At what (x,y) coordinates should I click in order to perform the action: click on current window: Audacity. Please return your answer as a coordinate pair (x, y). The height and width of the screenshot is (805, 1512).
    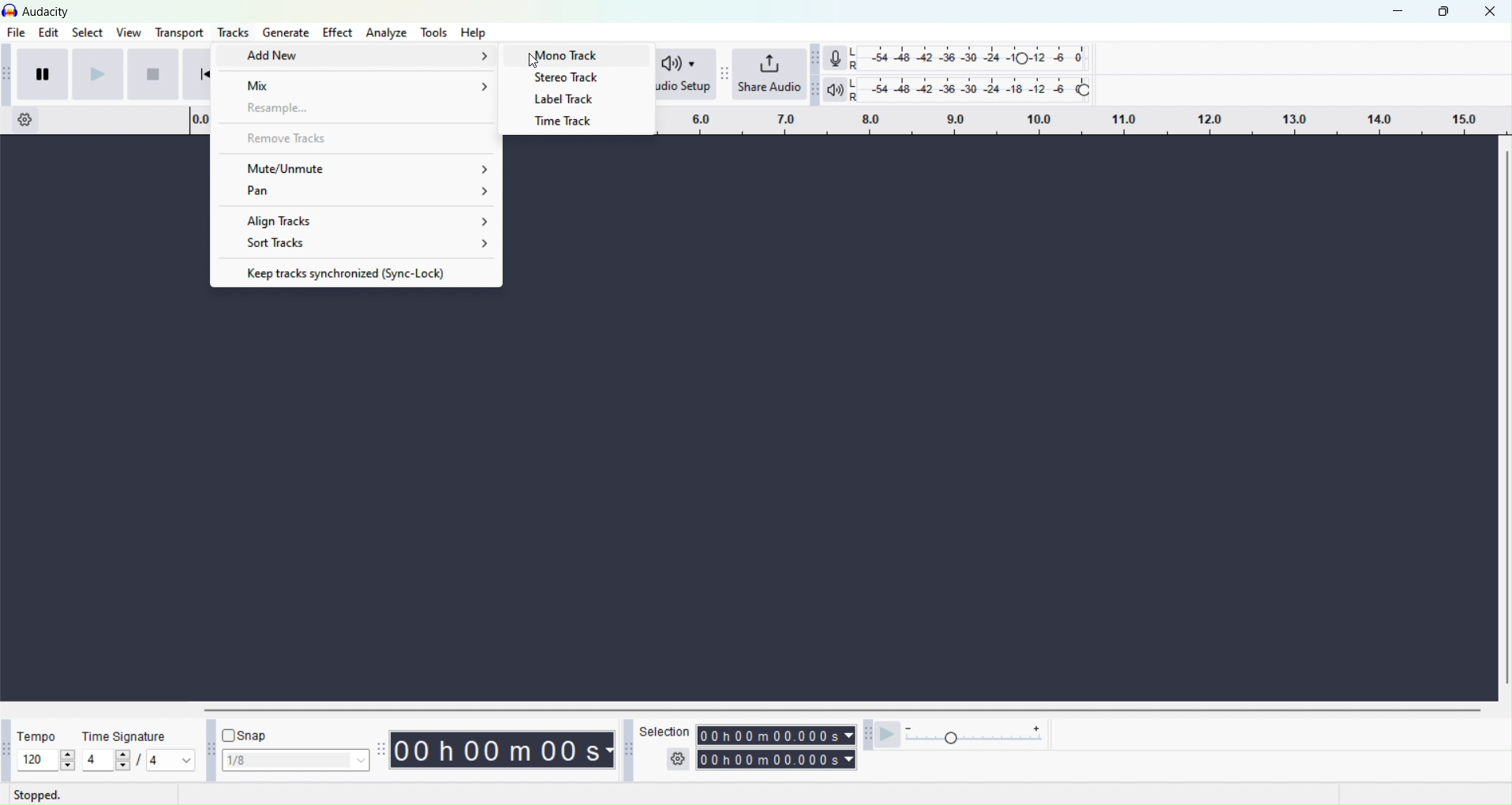
    Looking at the image, I should click on (48, 11).